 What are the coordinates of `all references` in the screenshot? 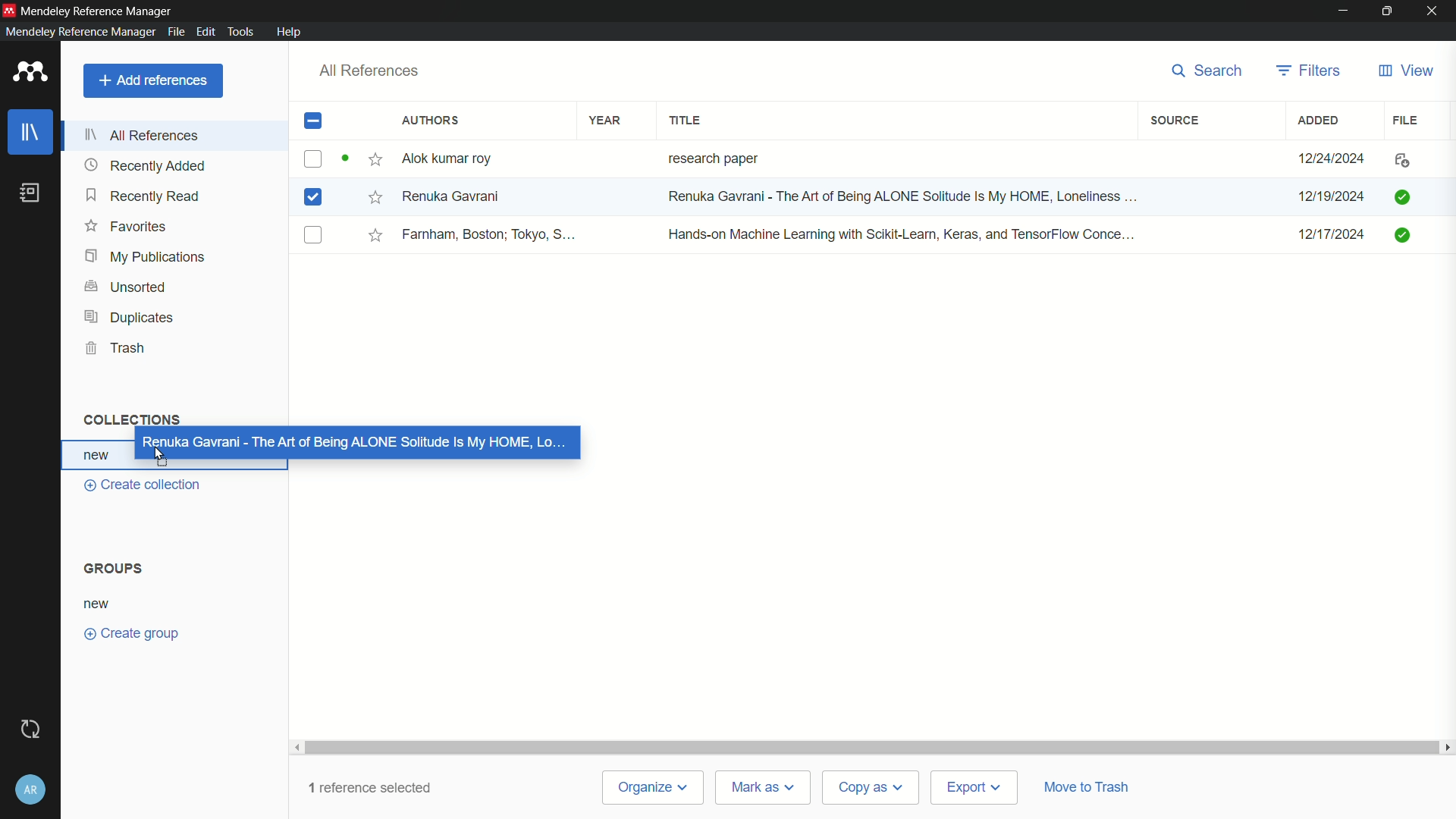 It's located at (143, 135).